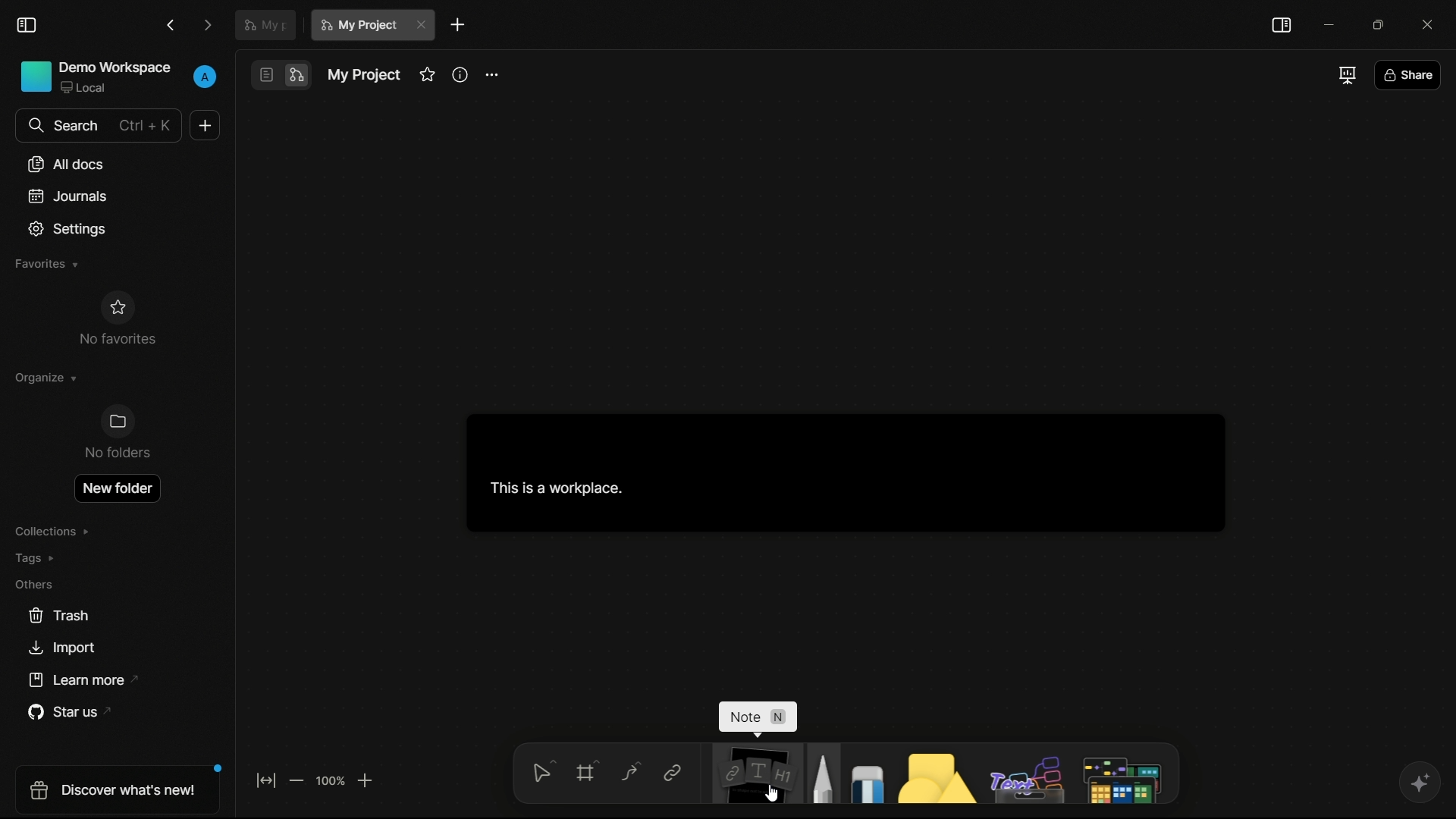 This screenshot has width=1456, height=819. What do you see at coordinates (266, 74) in the screenshot?
I see `page mode` at bounding box center [266, 74].